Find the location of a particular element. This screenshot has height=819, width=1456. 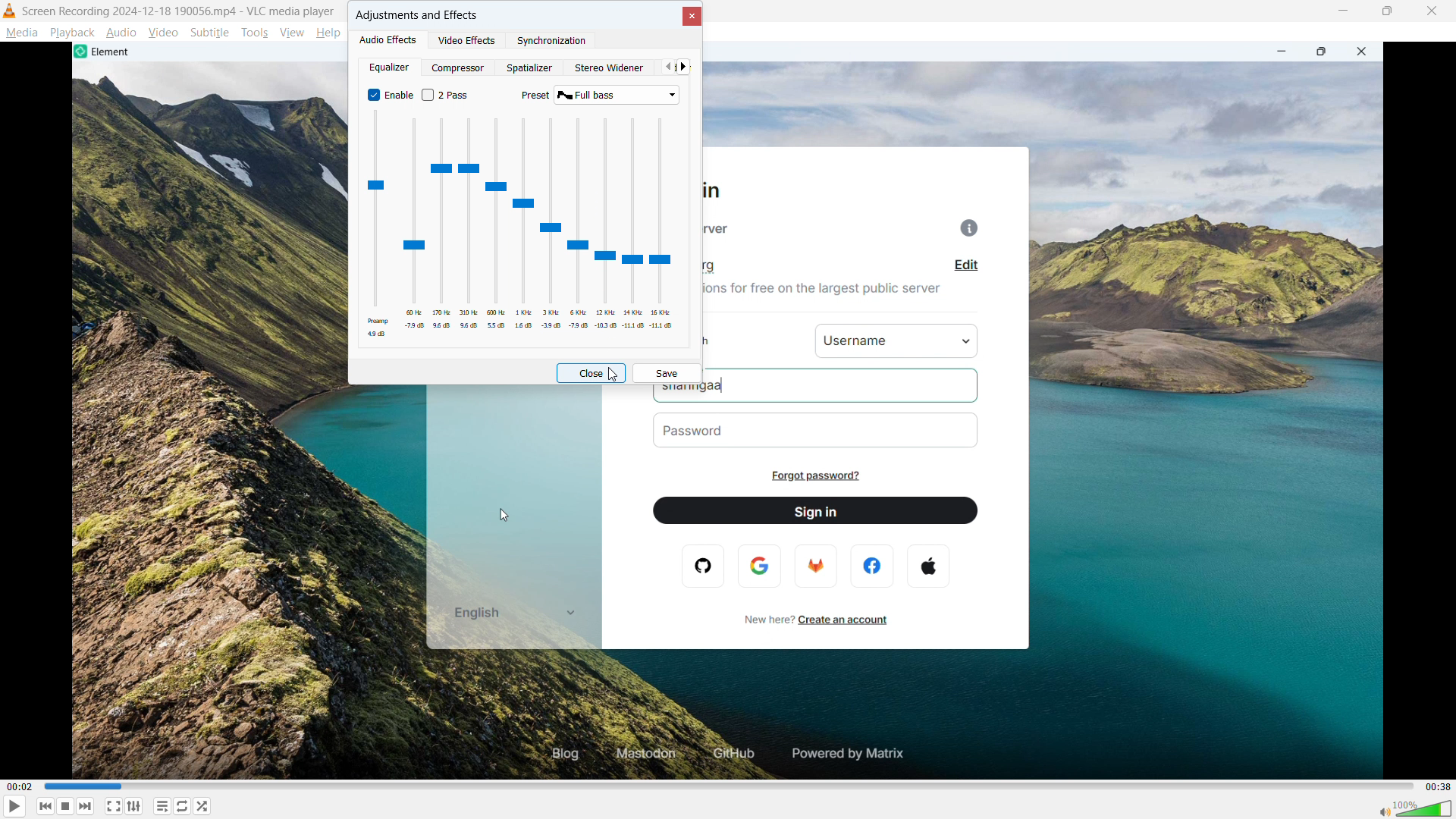

Audio effects is located at coordinates (390, 39).